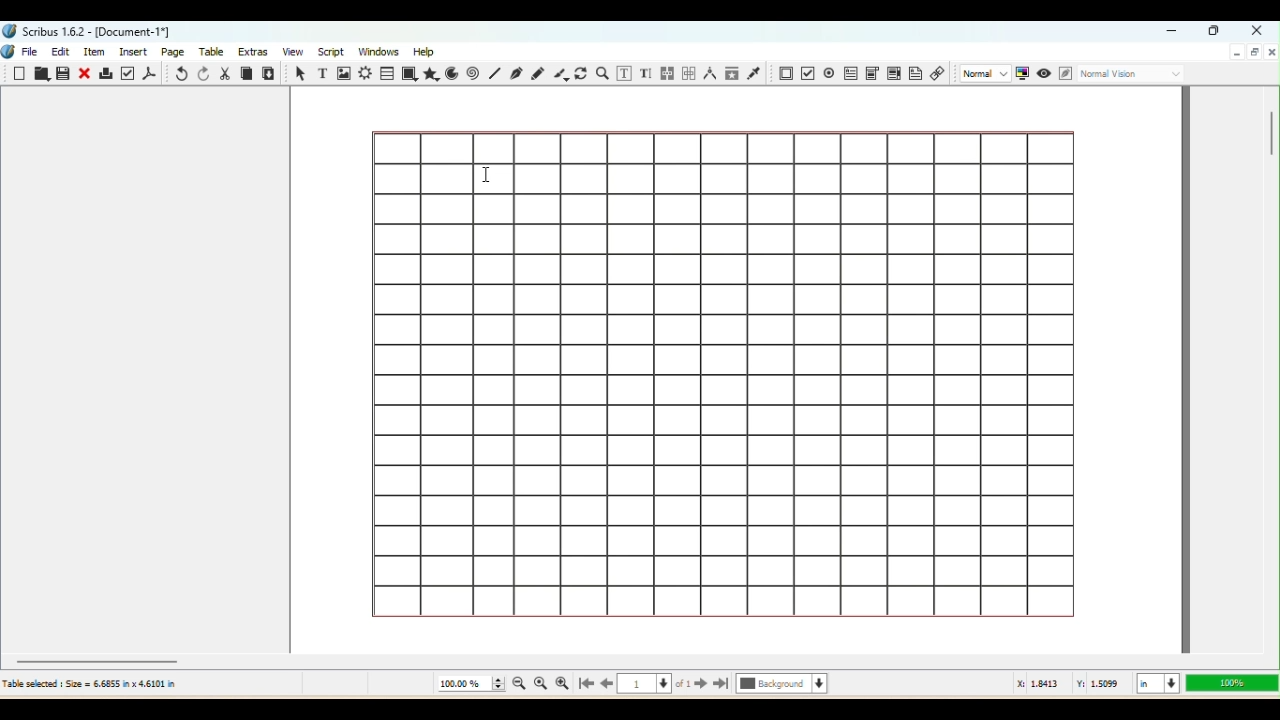  I want to click on Text frame, so click(320, 72).